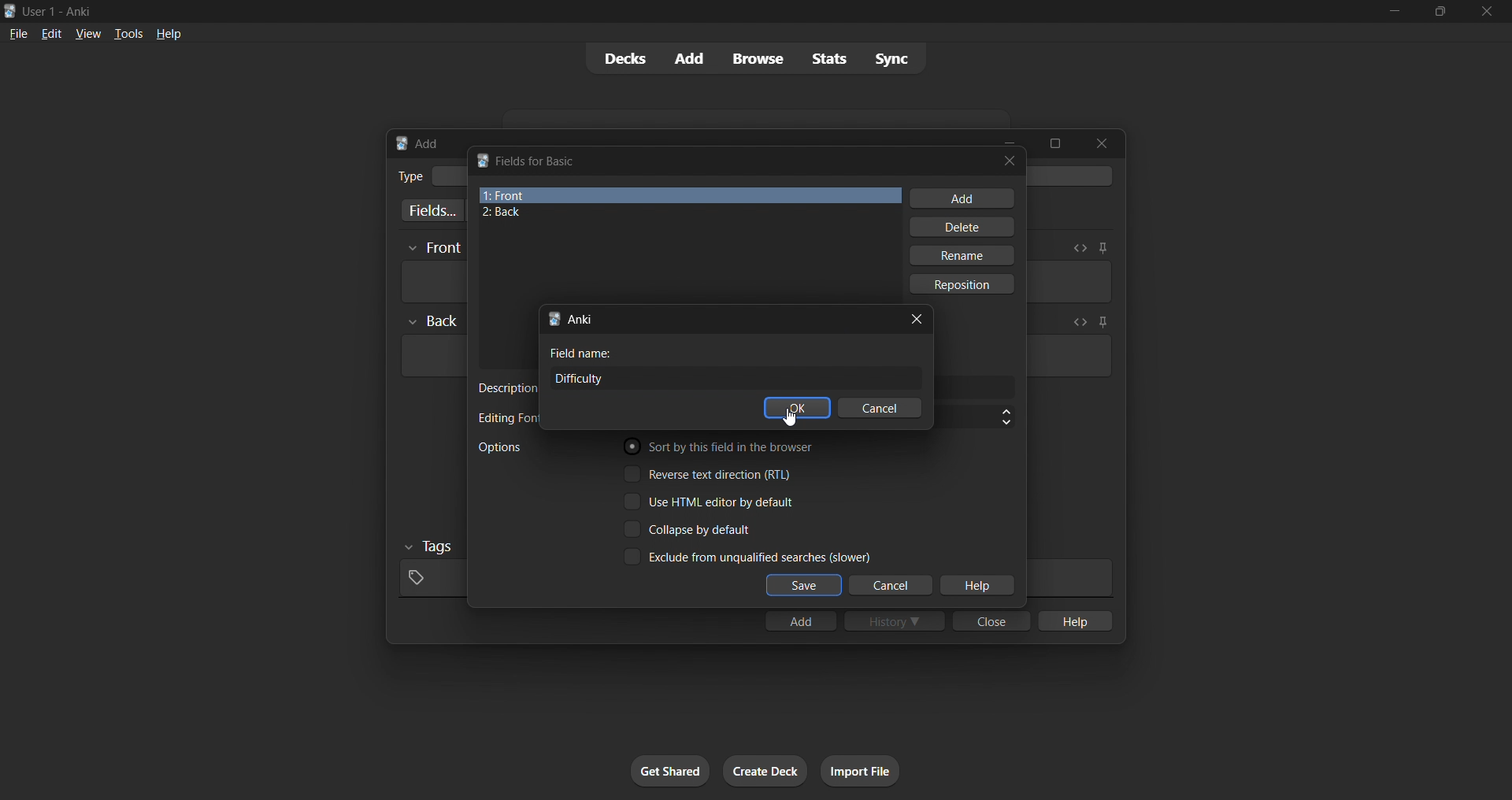  I want to click on view, so click(88, 33).